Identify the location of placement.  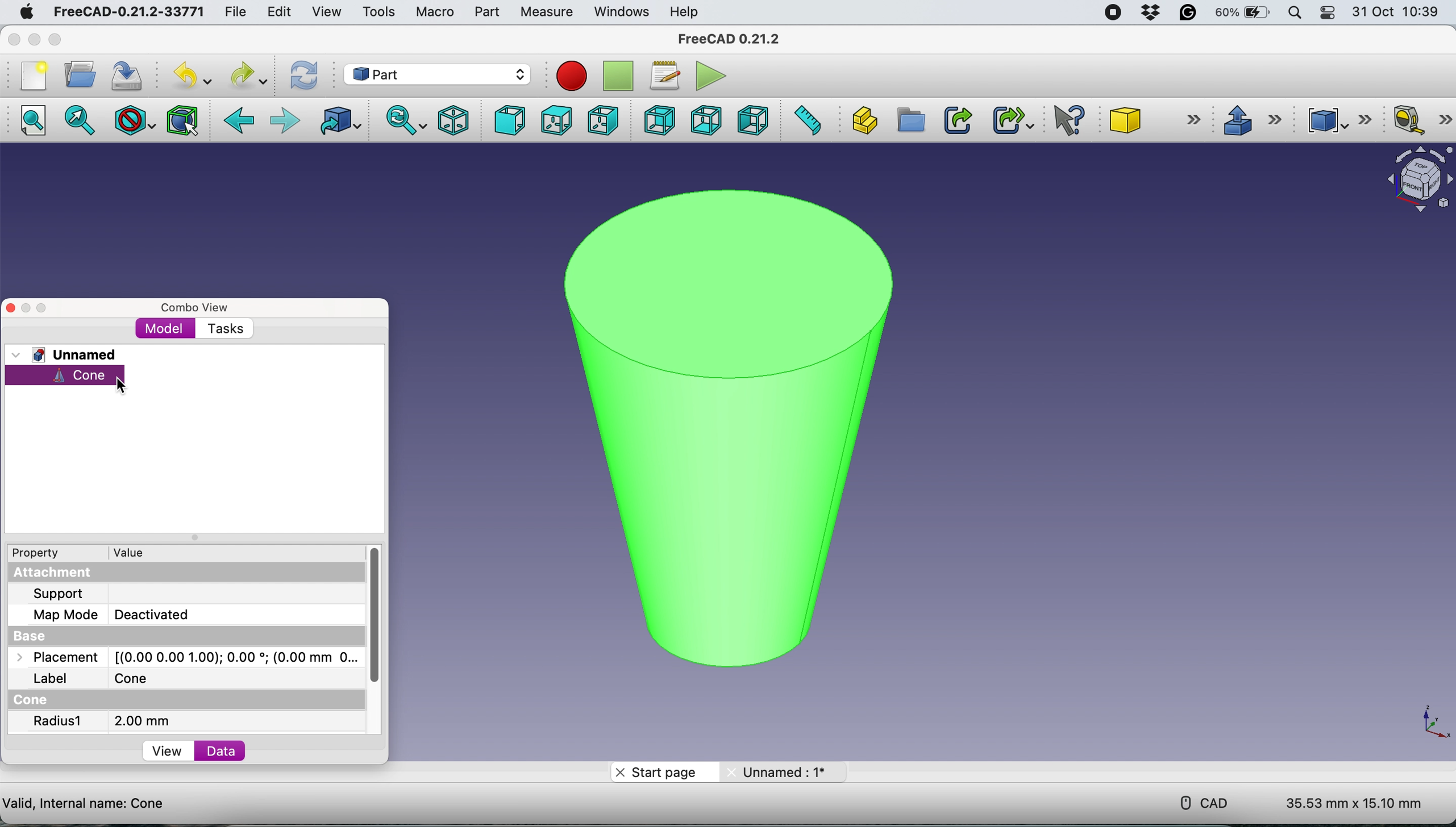
(182, 658).